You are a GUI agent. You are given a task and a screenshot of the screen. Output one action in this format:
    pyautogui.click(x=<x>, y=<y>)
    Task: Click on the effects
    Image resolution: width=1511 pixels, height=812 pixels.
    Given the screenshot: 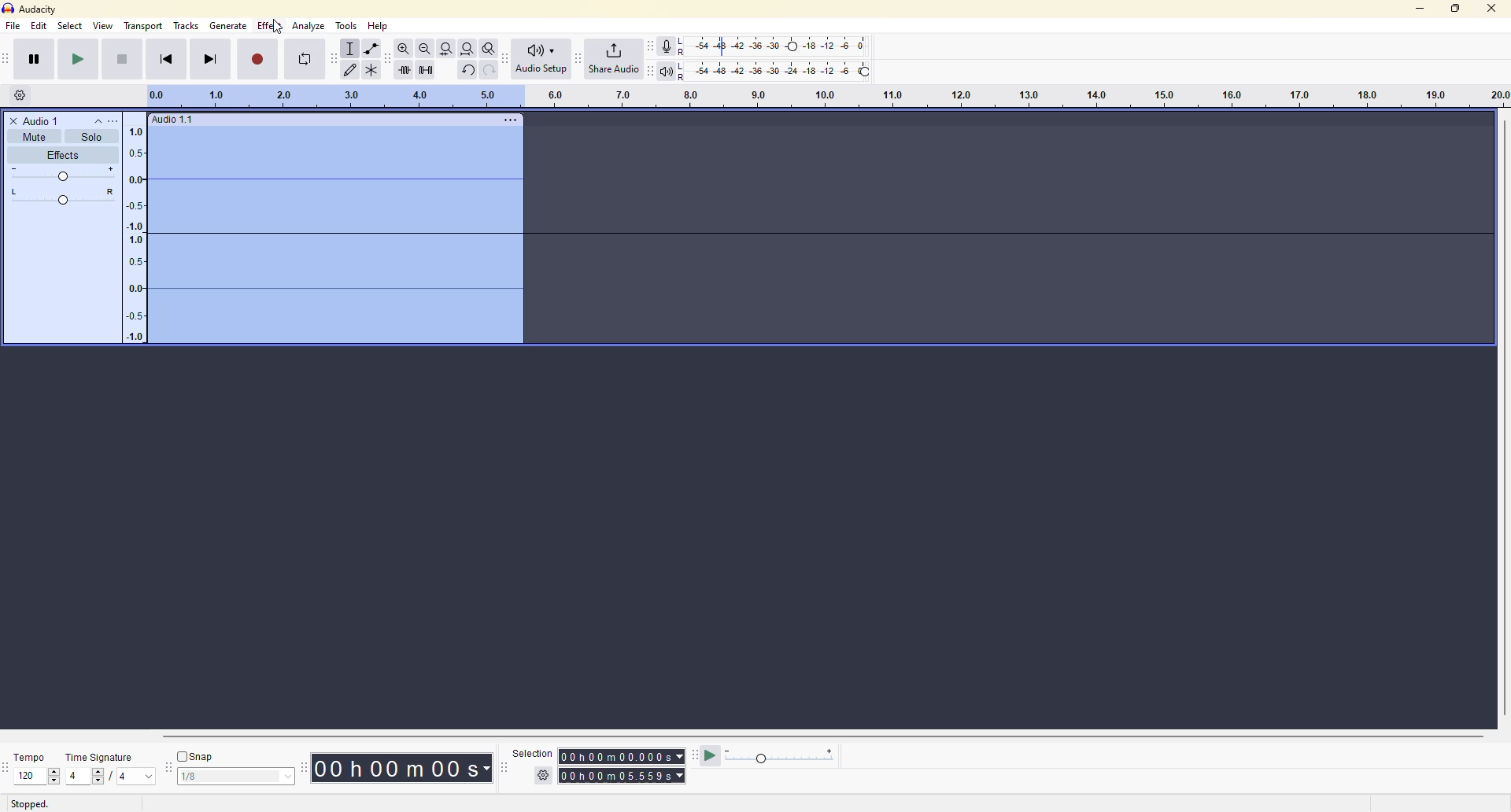 What is the action you would take?
    pyautogui.click(x=61, y=156)
    